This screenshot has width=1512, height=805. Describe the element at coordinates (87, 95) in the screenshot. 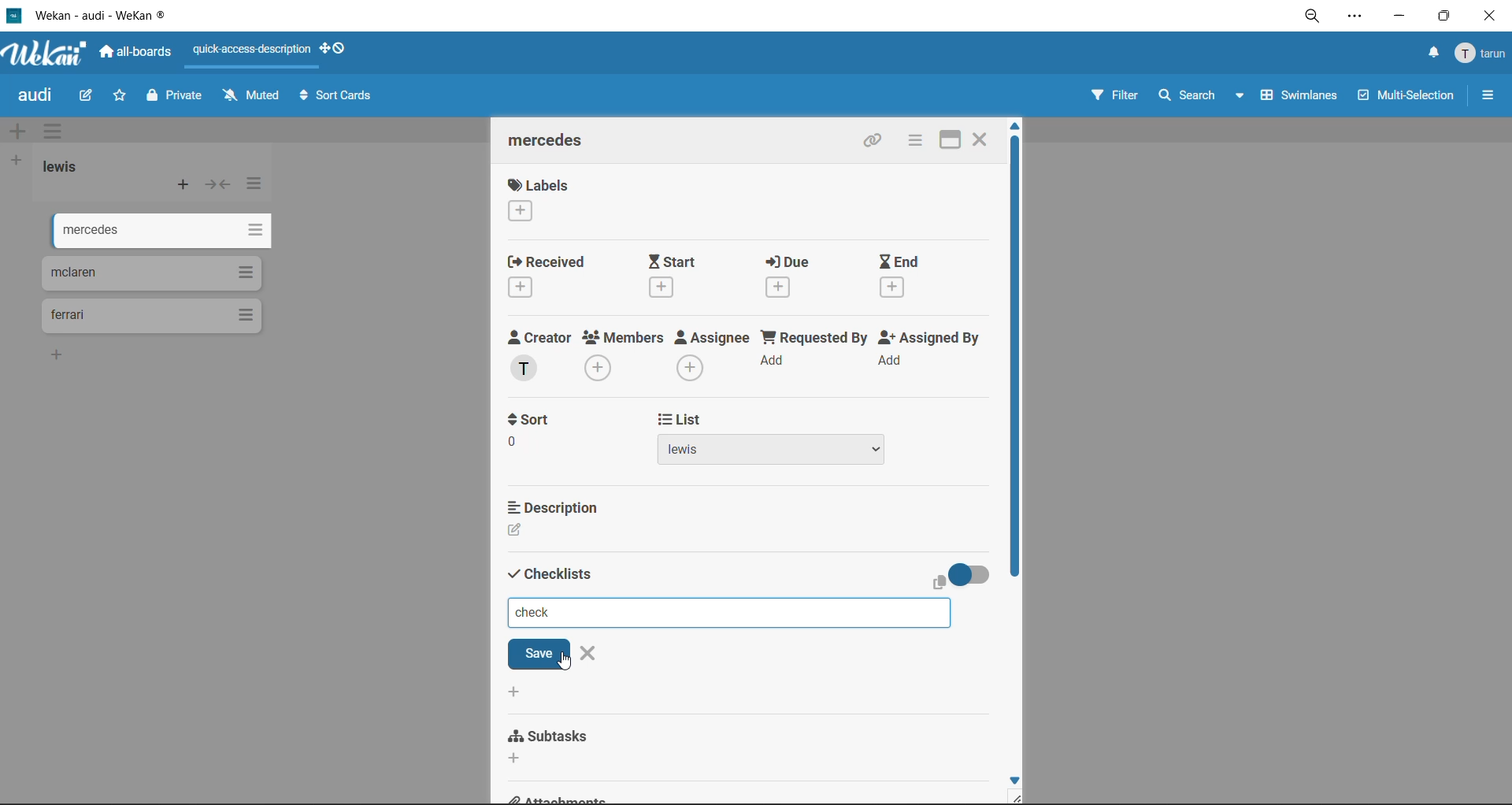

I see `edit` at that location.